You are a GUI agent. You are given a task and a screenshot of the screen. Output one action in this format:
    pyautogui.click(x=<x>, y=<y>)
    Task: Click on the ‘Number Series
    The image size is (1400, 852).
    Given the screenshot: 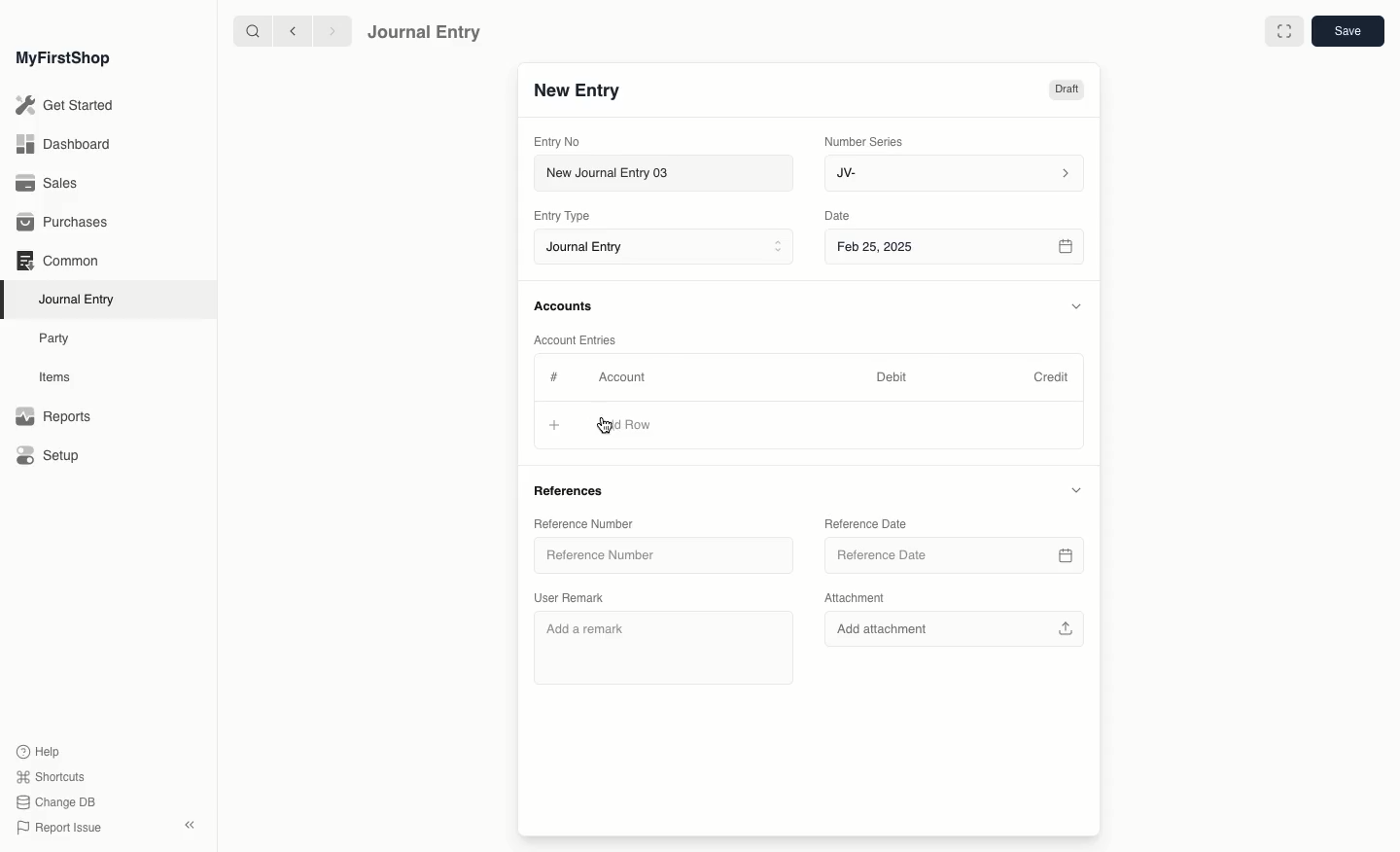 What is the action you would take?
    pyautogui.click(x=864, y=140)
    